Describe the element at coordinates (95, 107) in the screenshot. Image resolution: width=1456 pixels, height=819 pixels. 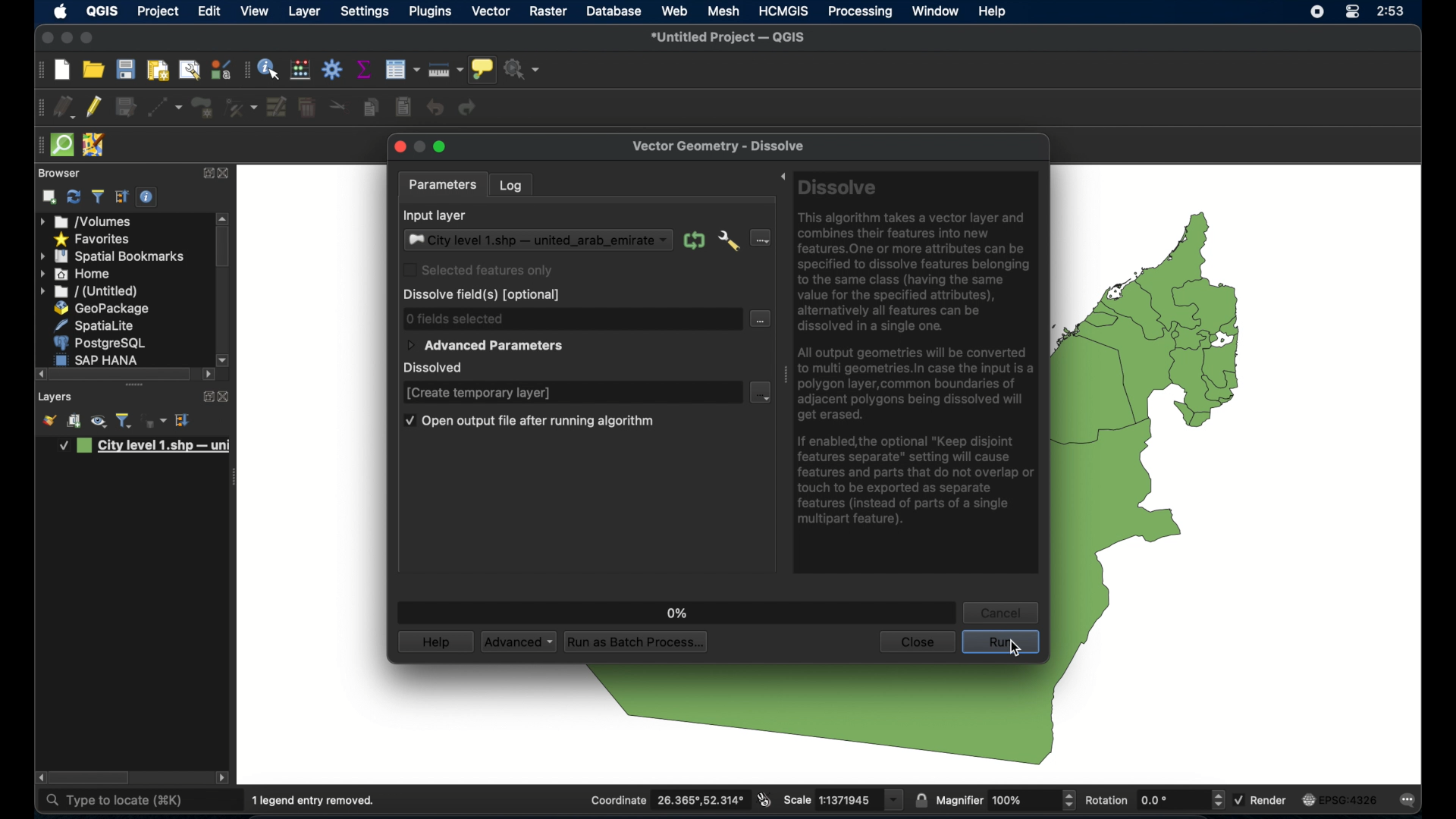
I see `toggle editing` at that location.